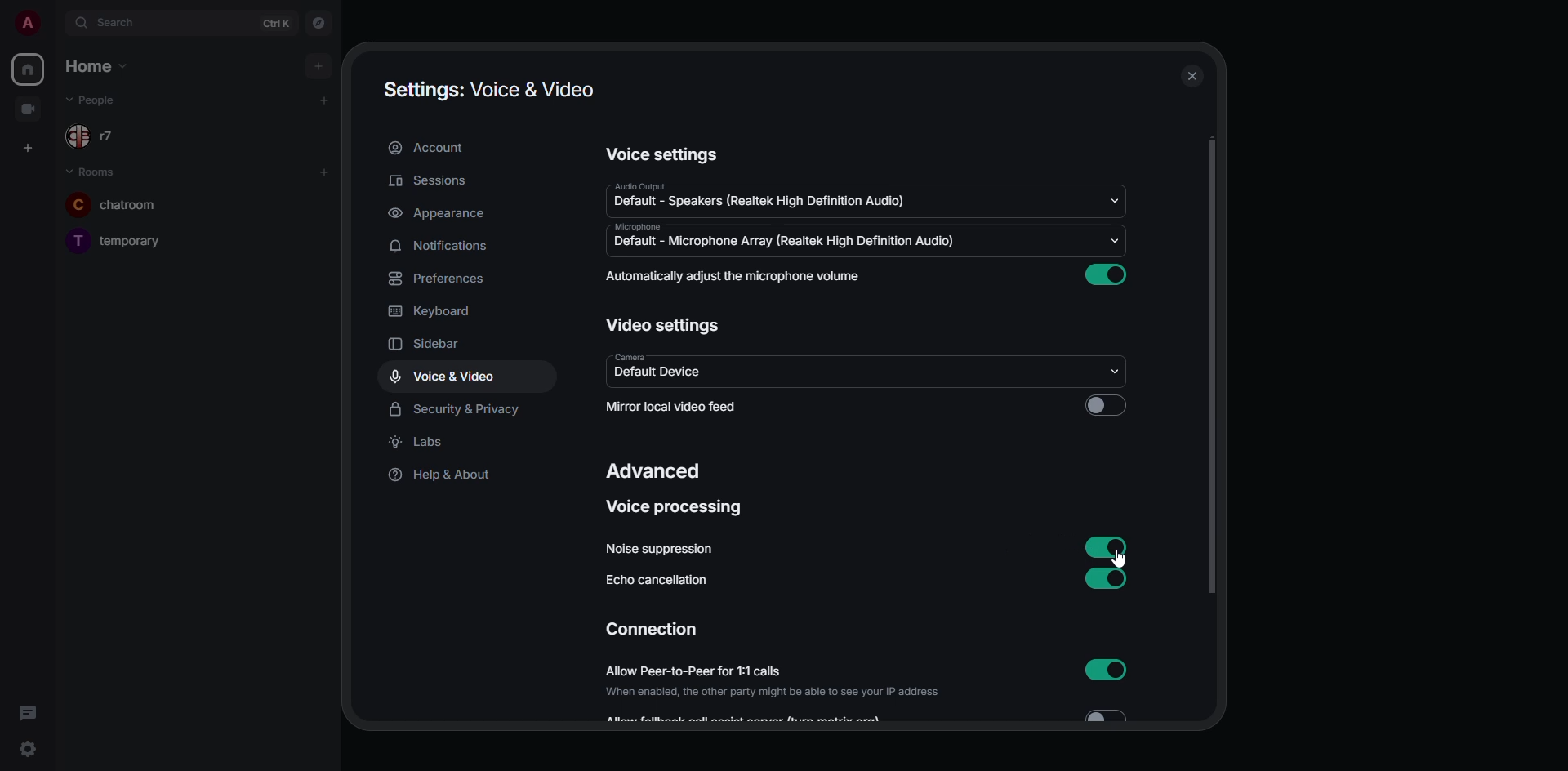  Describe the element at coordinates (653, 374) in the screenshot. I see `default` at that location.